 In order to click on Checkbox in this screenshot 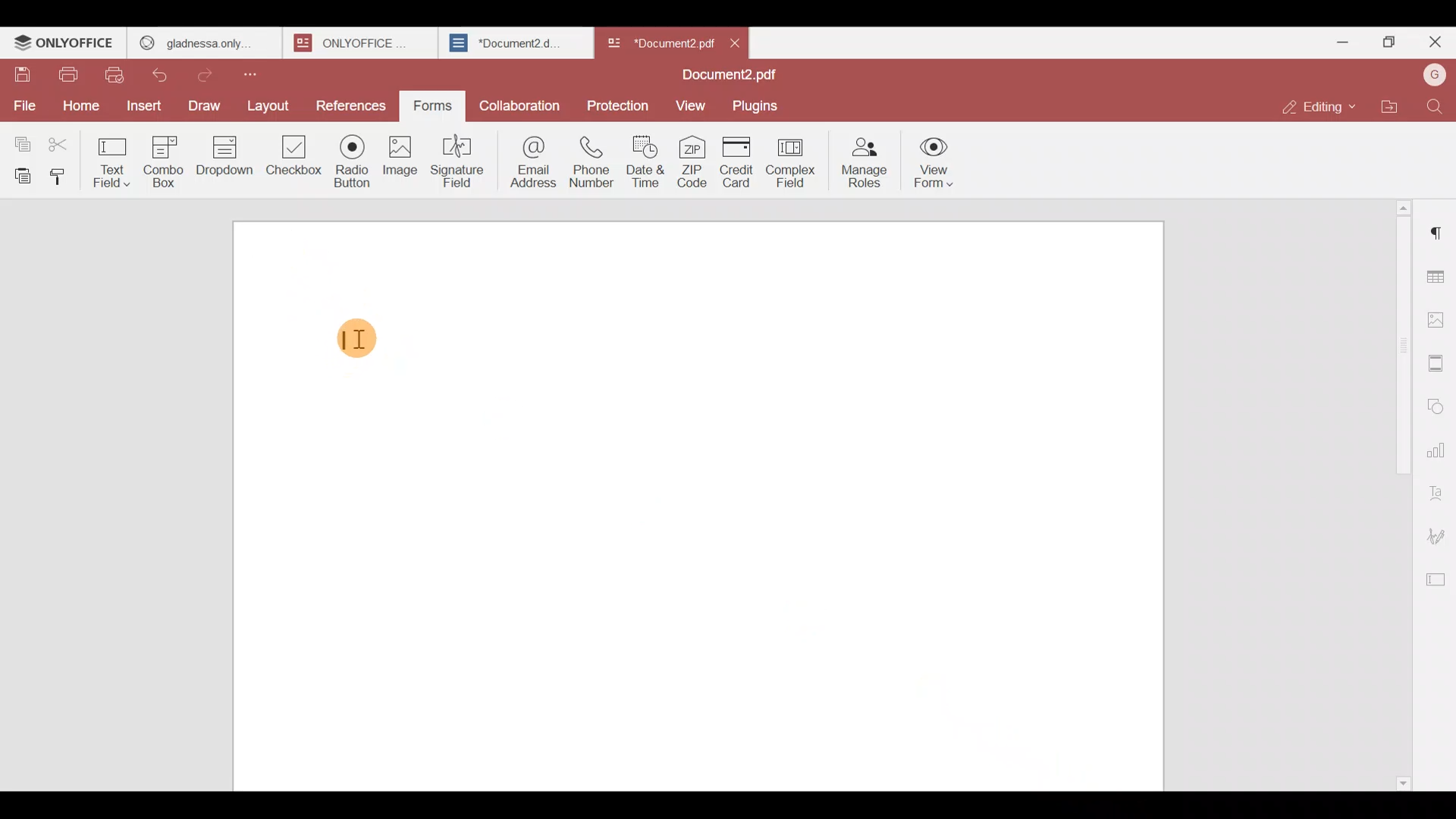, I will do `click(290, 159)`.